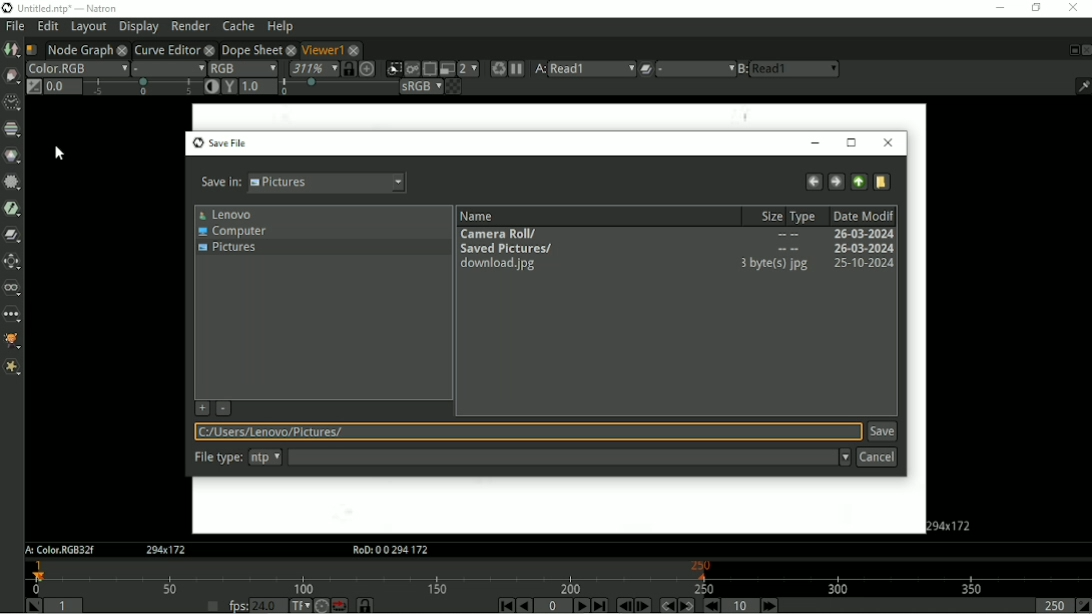  Describe the element at coordinates (14, 183) in the screenshot. I see `Filter` at that location.